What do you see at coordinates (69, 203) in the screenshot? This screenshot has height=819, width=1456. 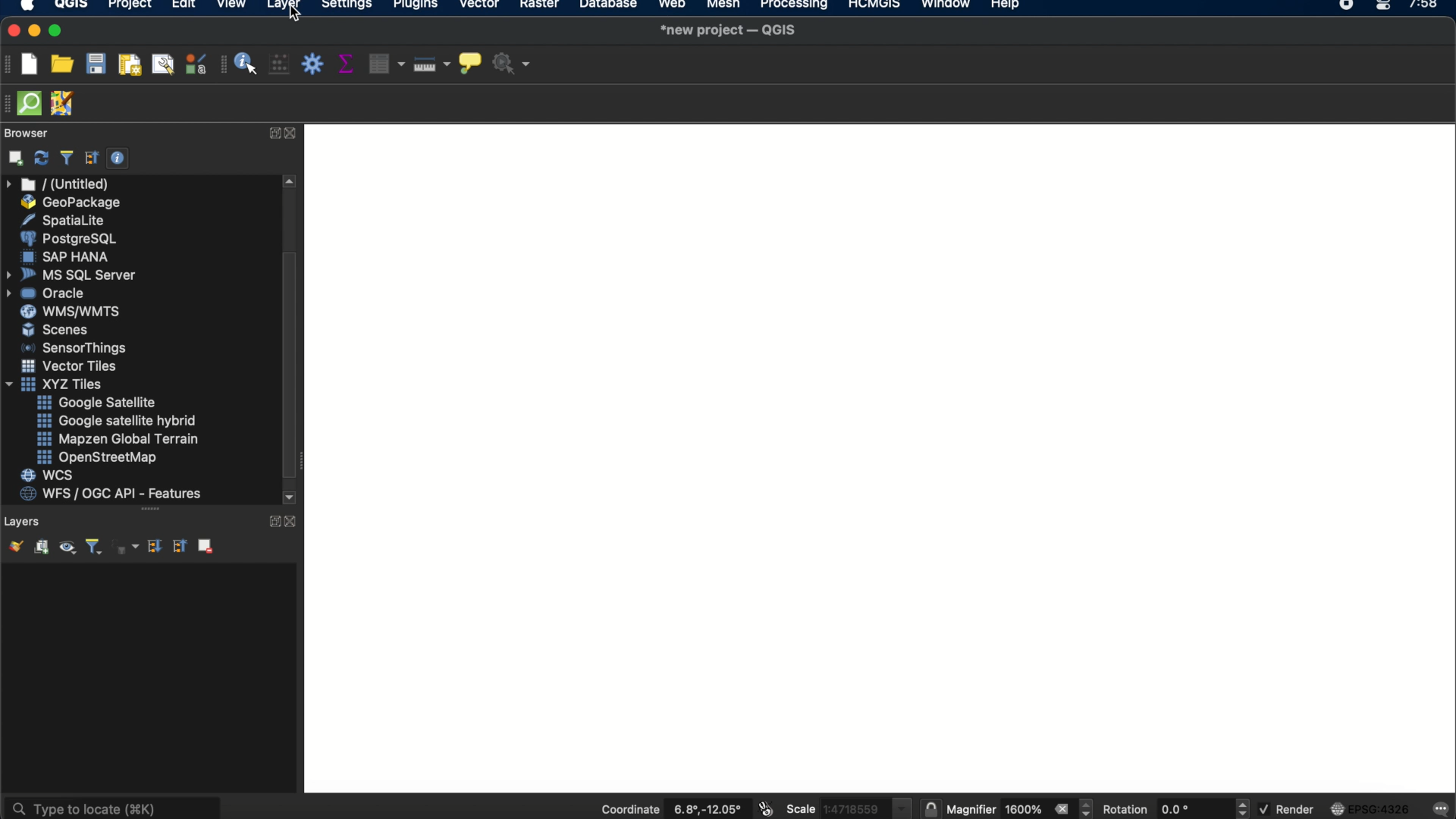 I see `geo package` at bounding box center [69, 203].